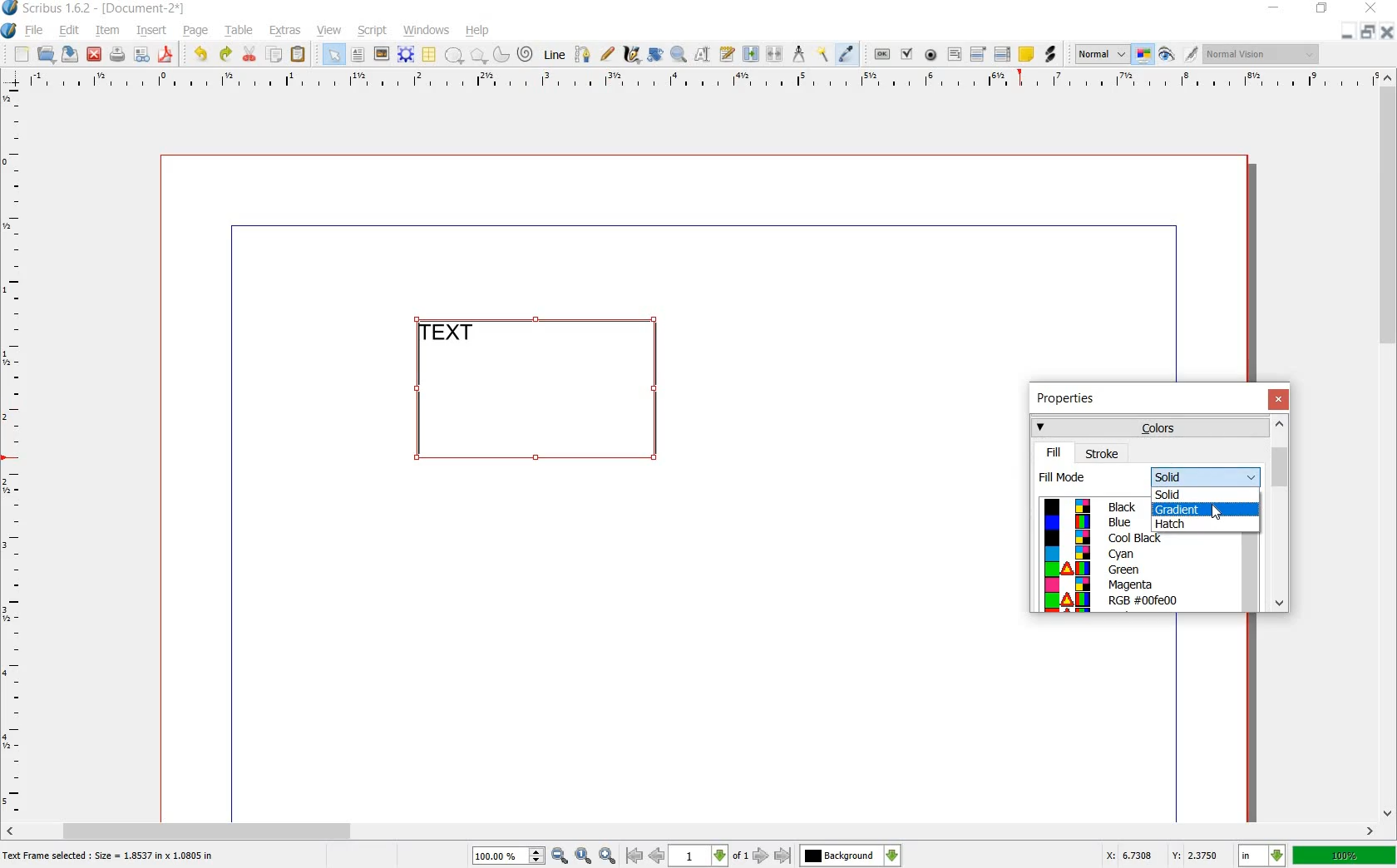  What do you see at coordinates (1177, 523) in the screenshot?
I see `hatch` at bounding box center [1177, 523].